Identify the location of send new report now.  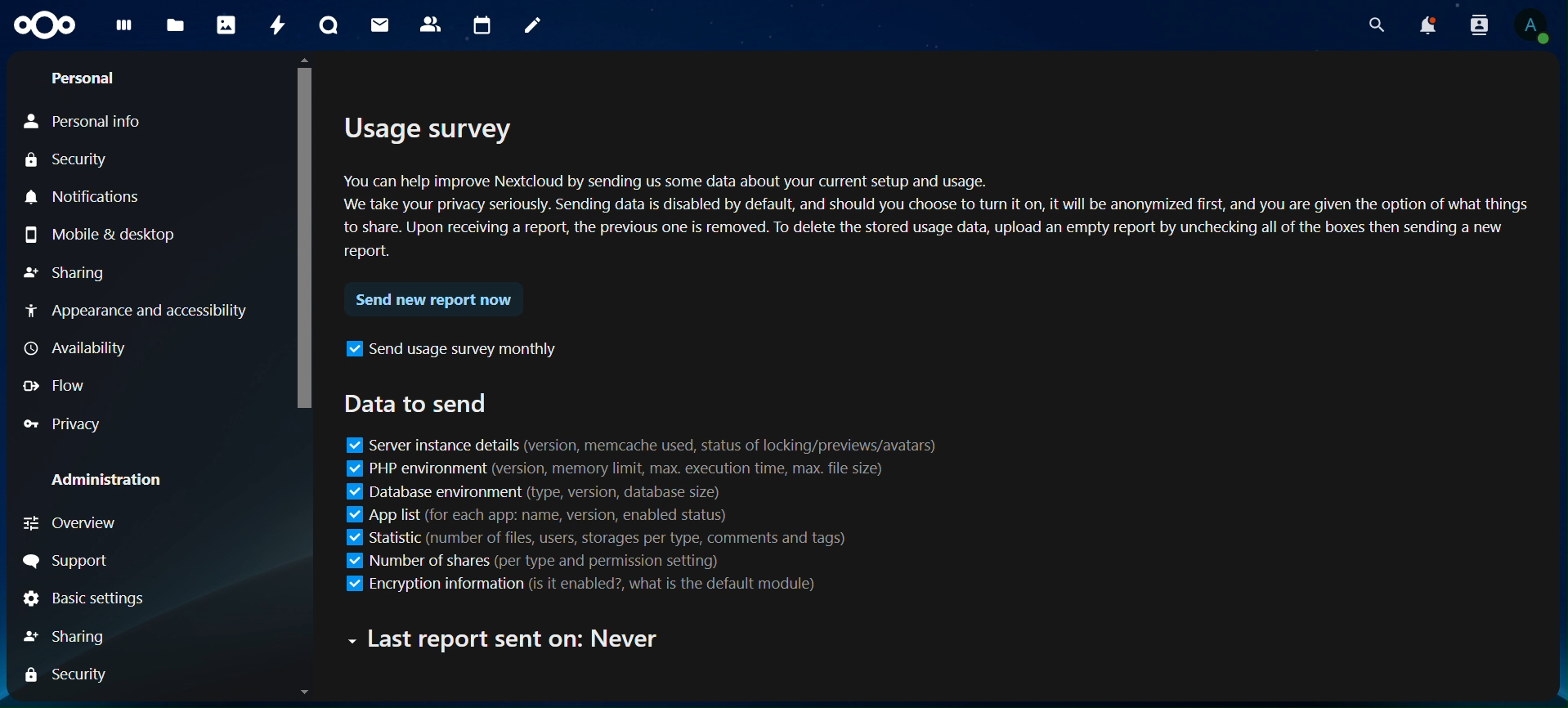
(432, 302).